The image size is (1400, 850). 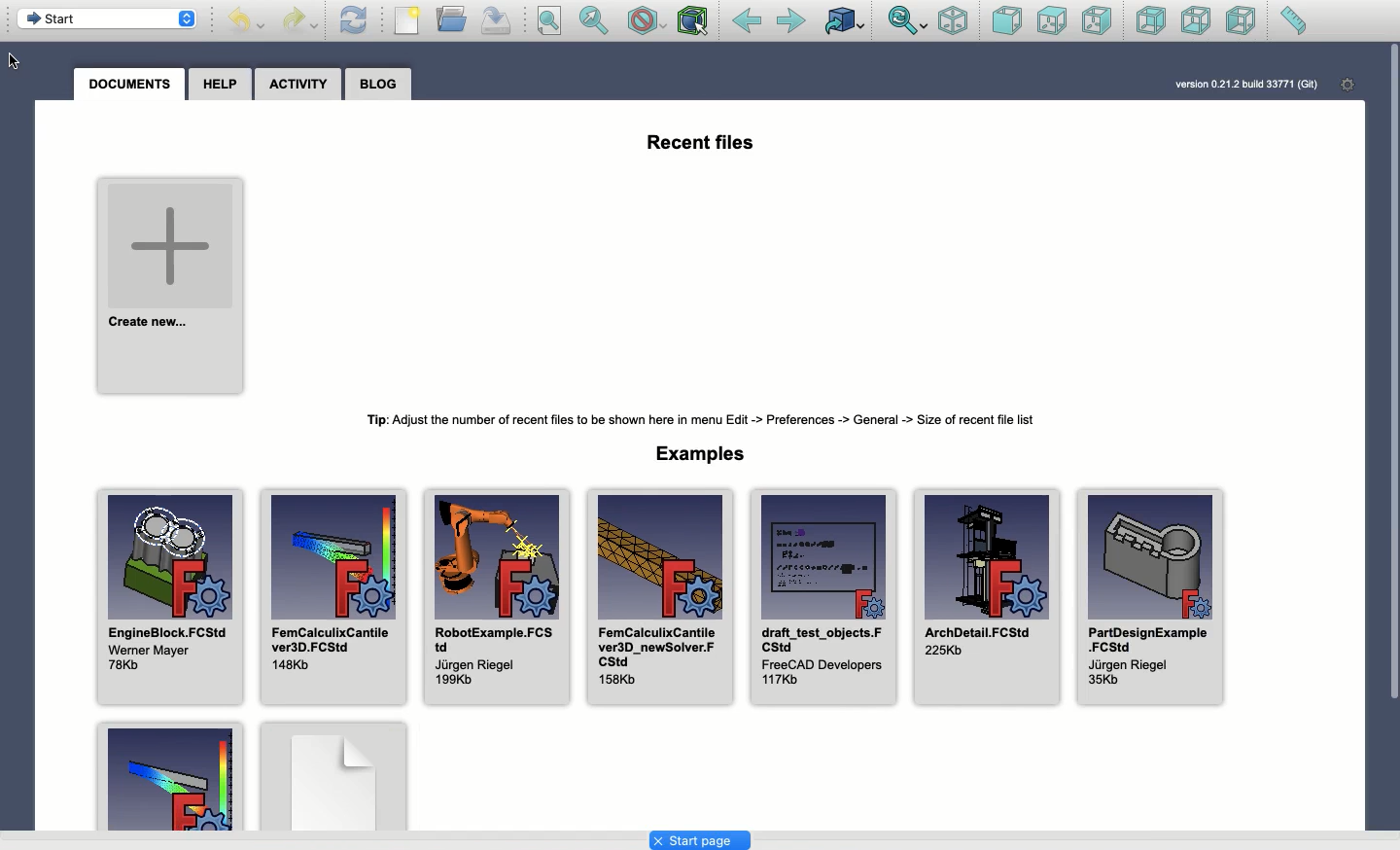 I want to click on Front, so click(x=1007, y=20).